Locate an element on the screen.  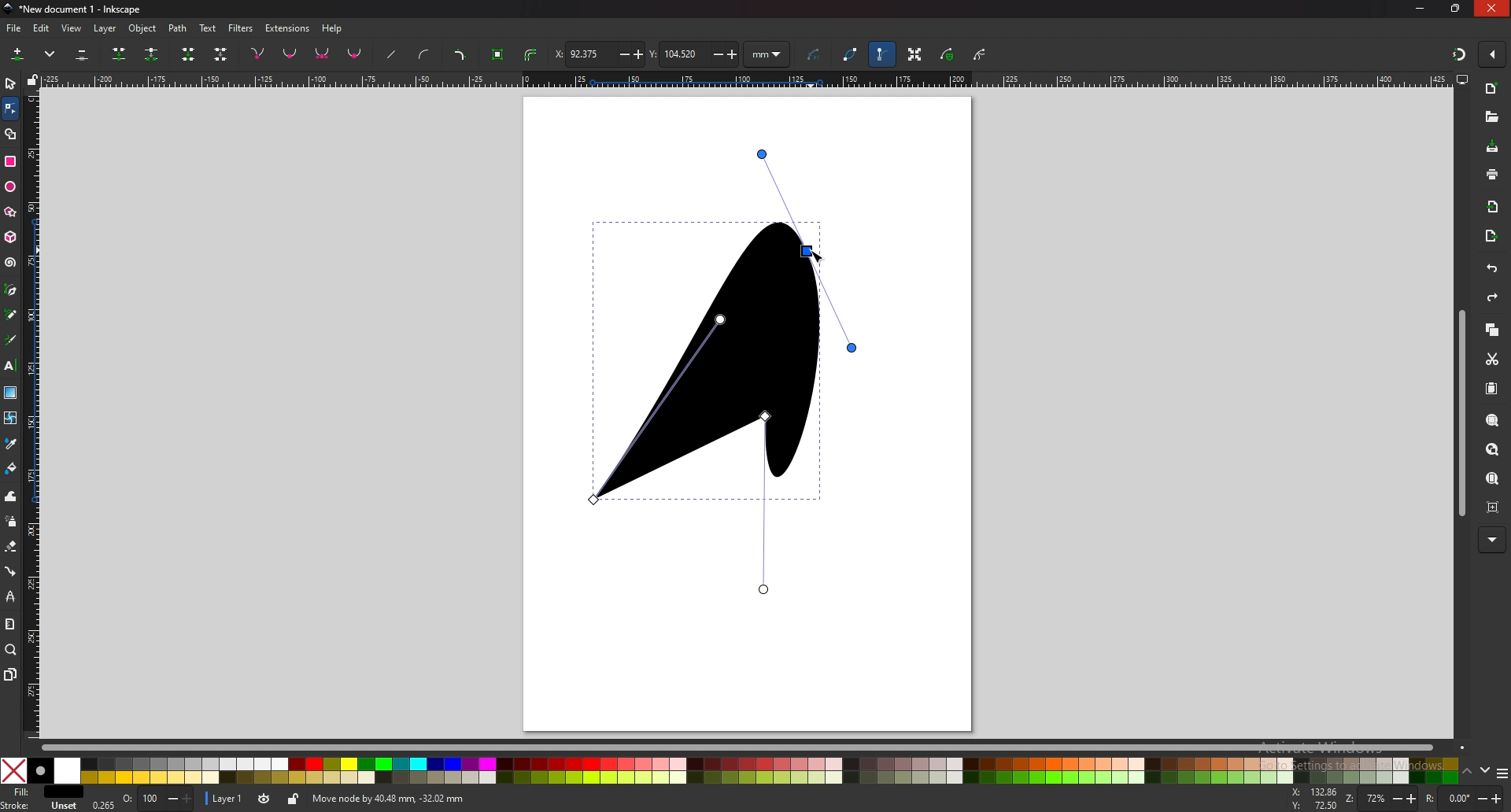
new is located at coordinates (1491, 88).